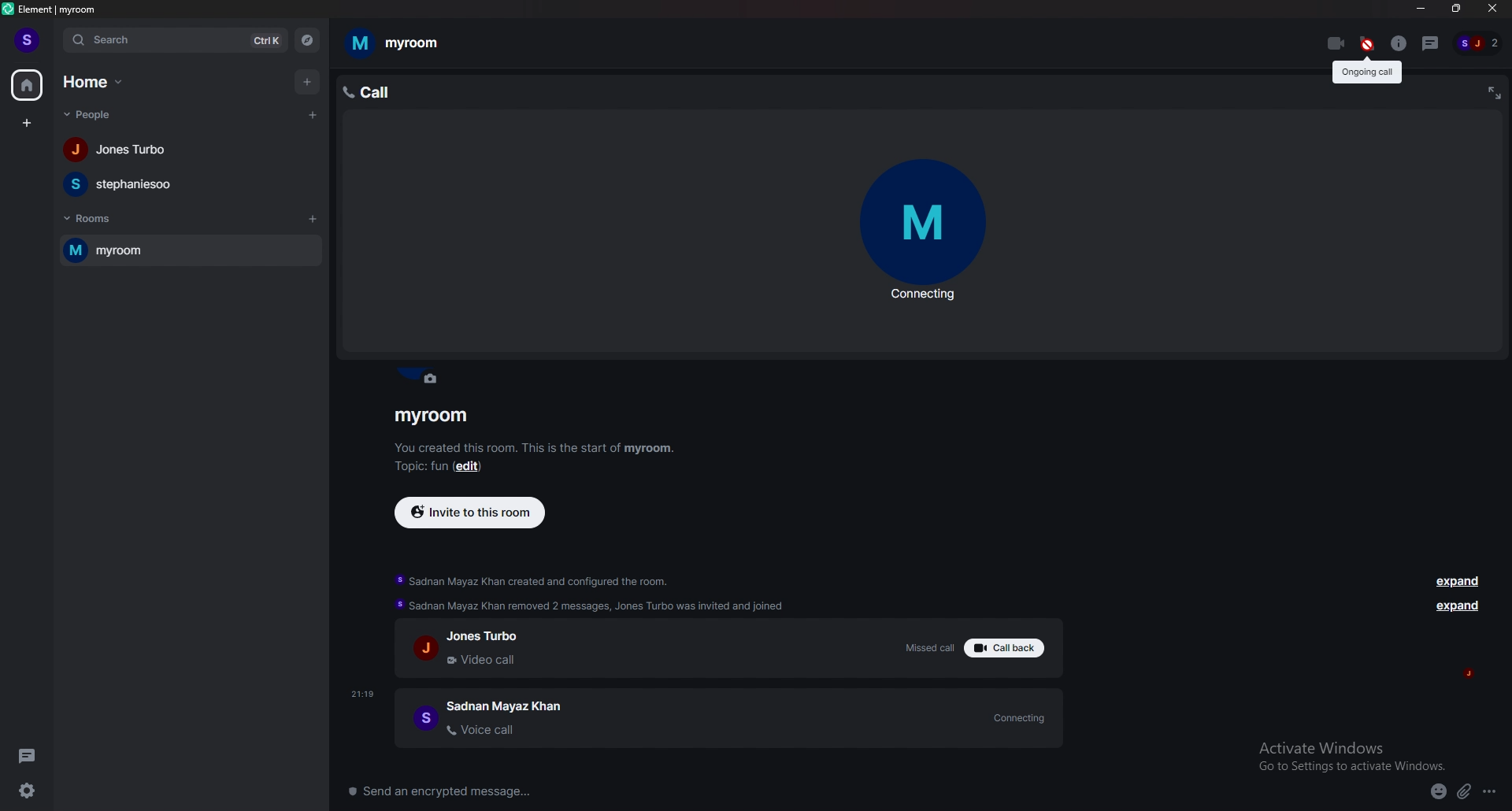  I want to click on voice call, so click(1365, 40).